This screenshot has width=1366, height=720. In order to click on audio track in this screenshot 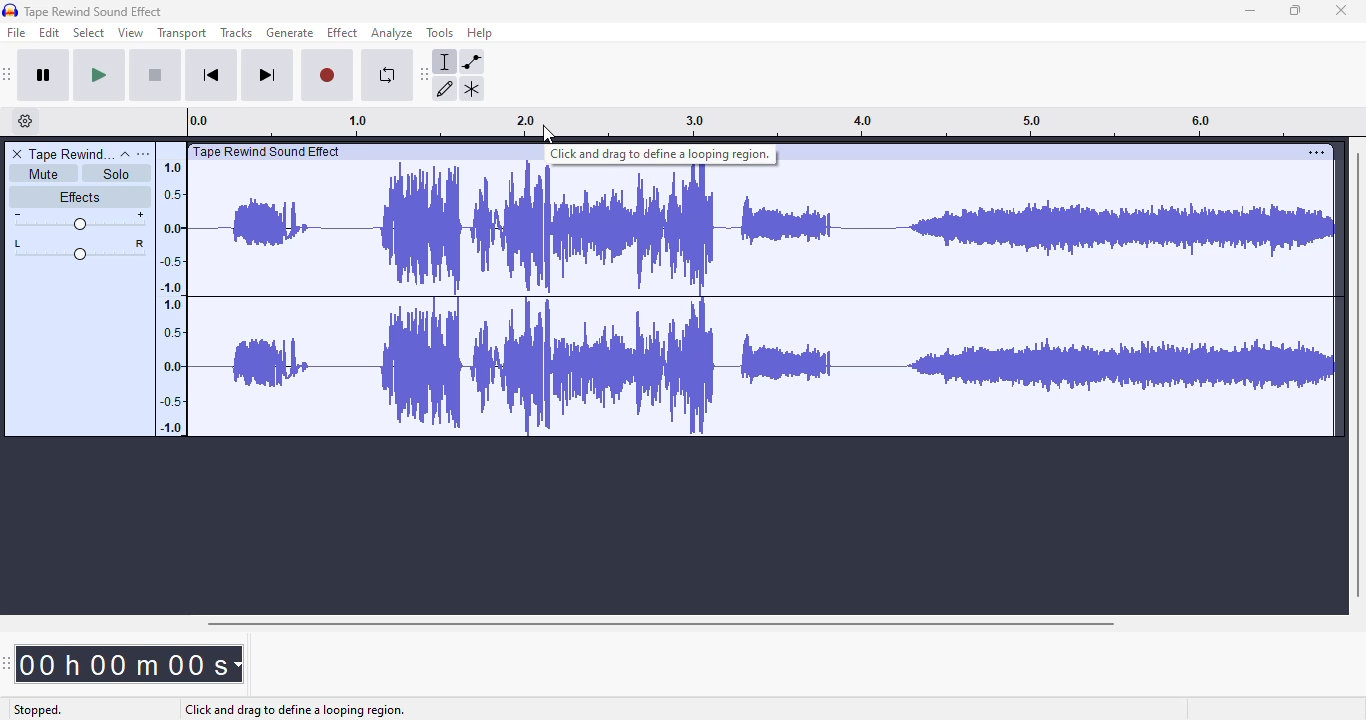, I will do `click(764, 298)`.